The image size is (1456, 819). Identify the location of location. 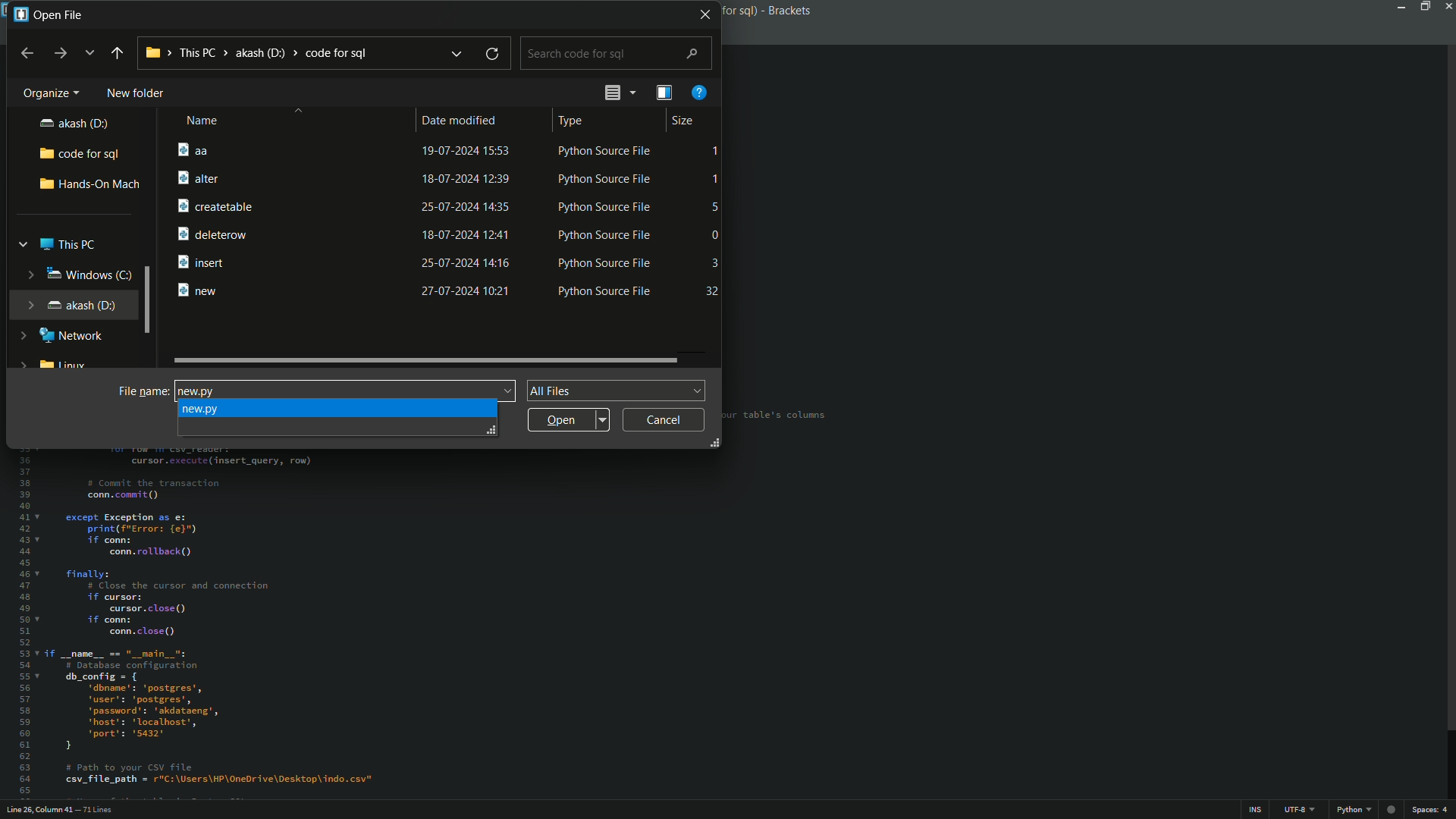
(256, 53).